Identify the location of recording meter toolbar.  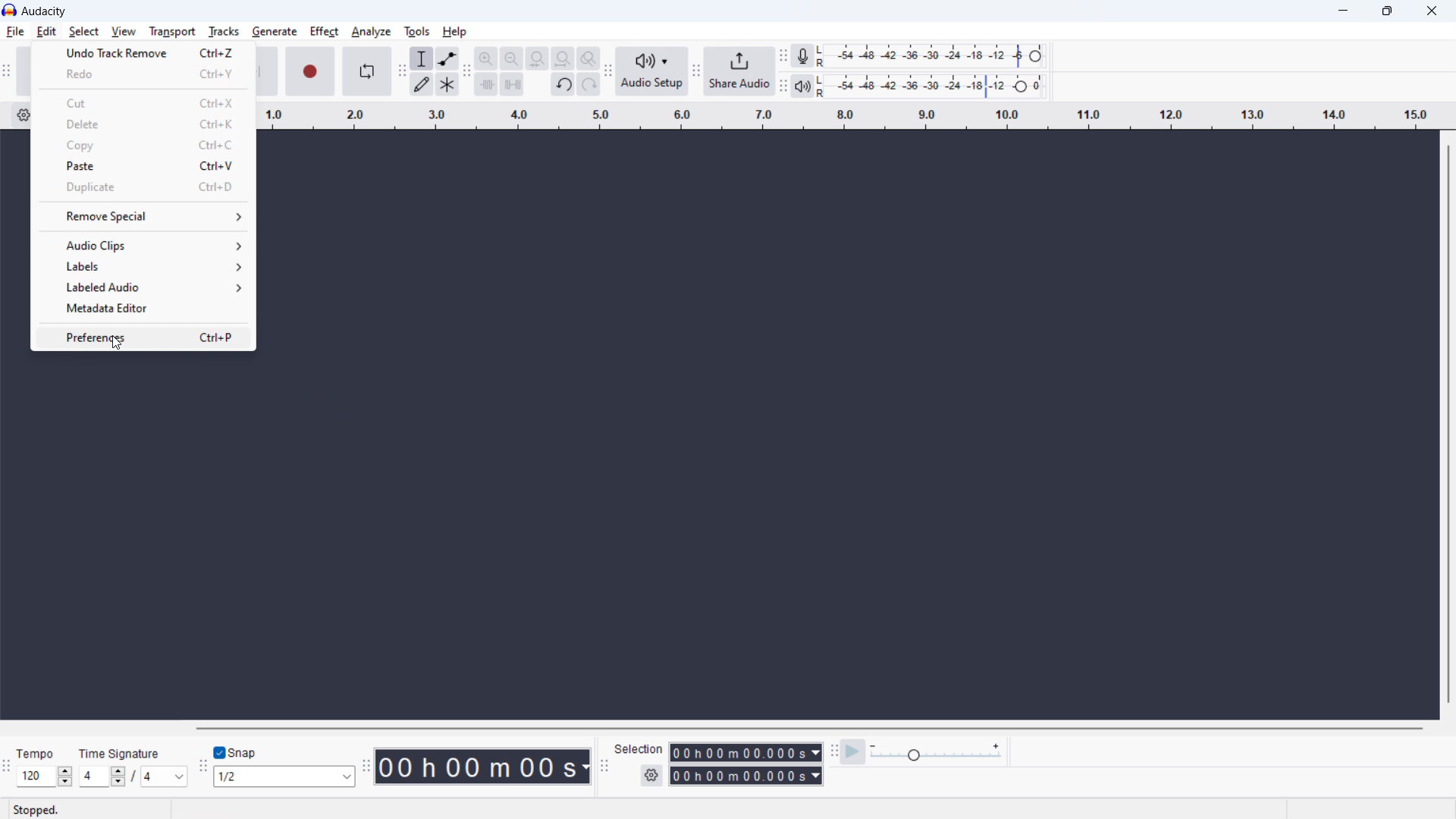
(783, 55).